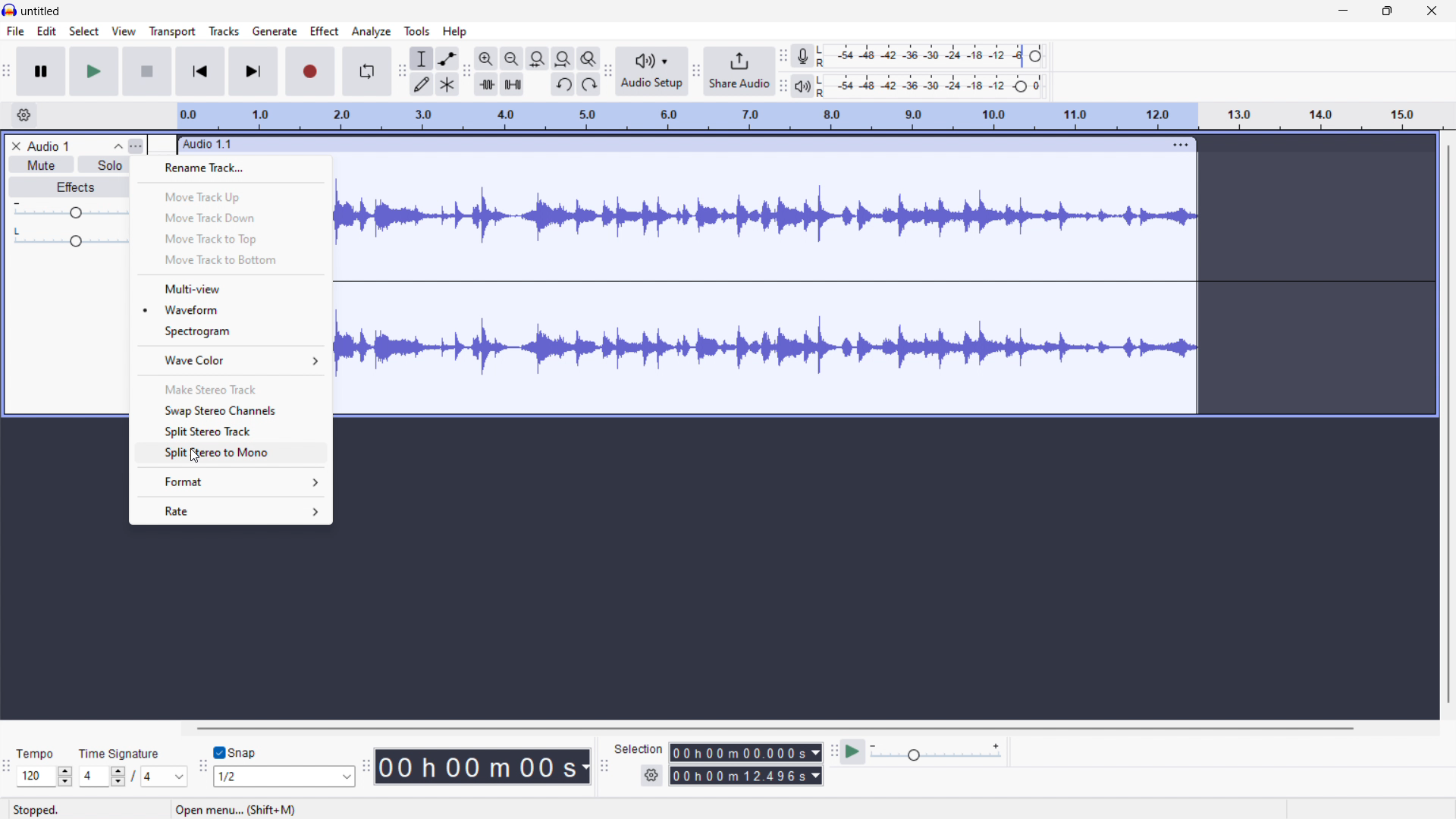 The width and height of the screenshot is (1456, 819). What do you see at coordinates (255, 71) in the screenshot?
I see `skip to end` at bounding box center [255, 71].